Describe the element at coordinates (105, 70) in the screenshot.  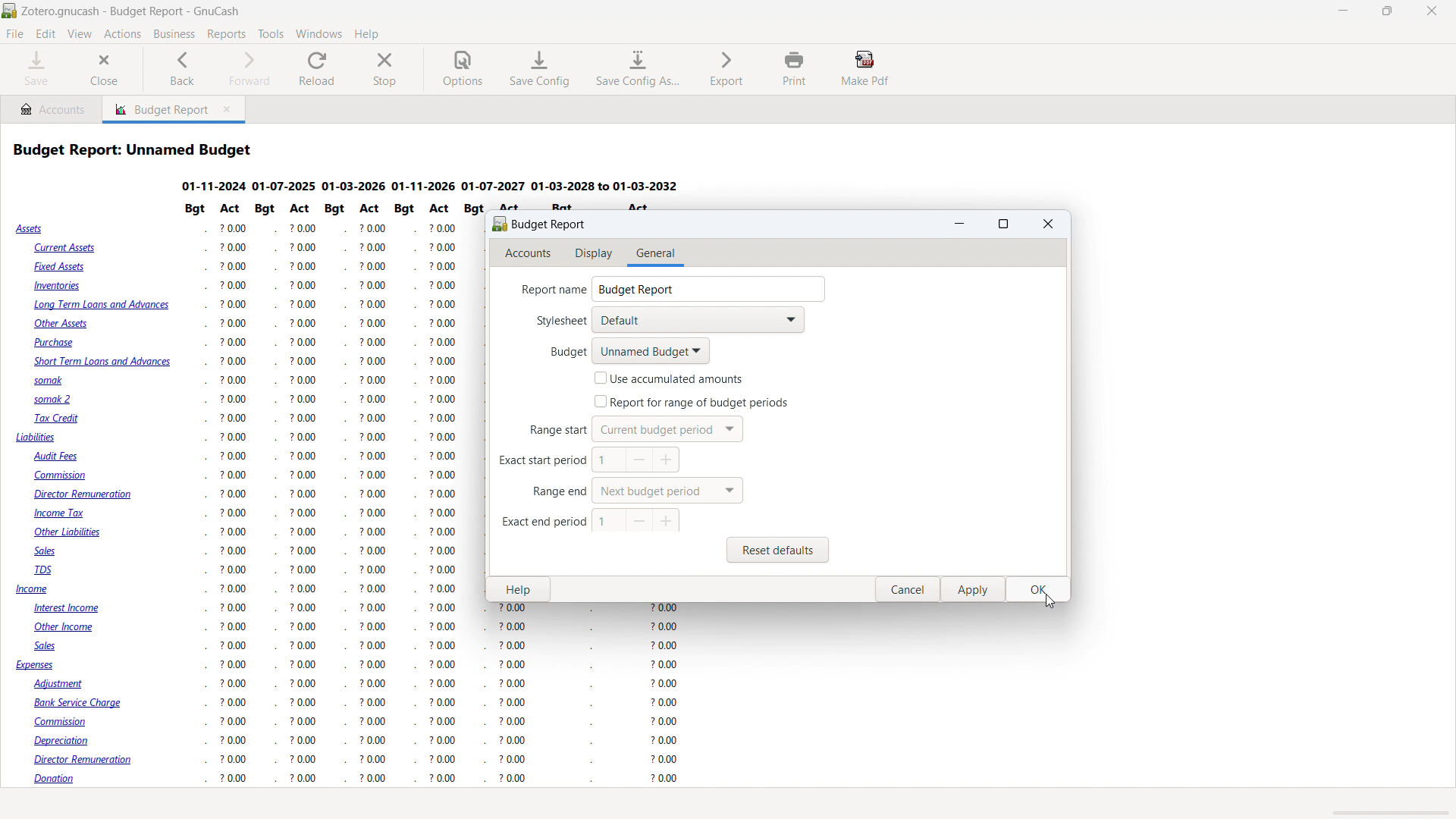
I see `close` at that location.